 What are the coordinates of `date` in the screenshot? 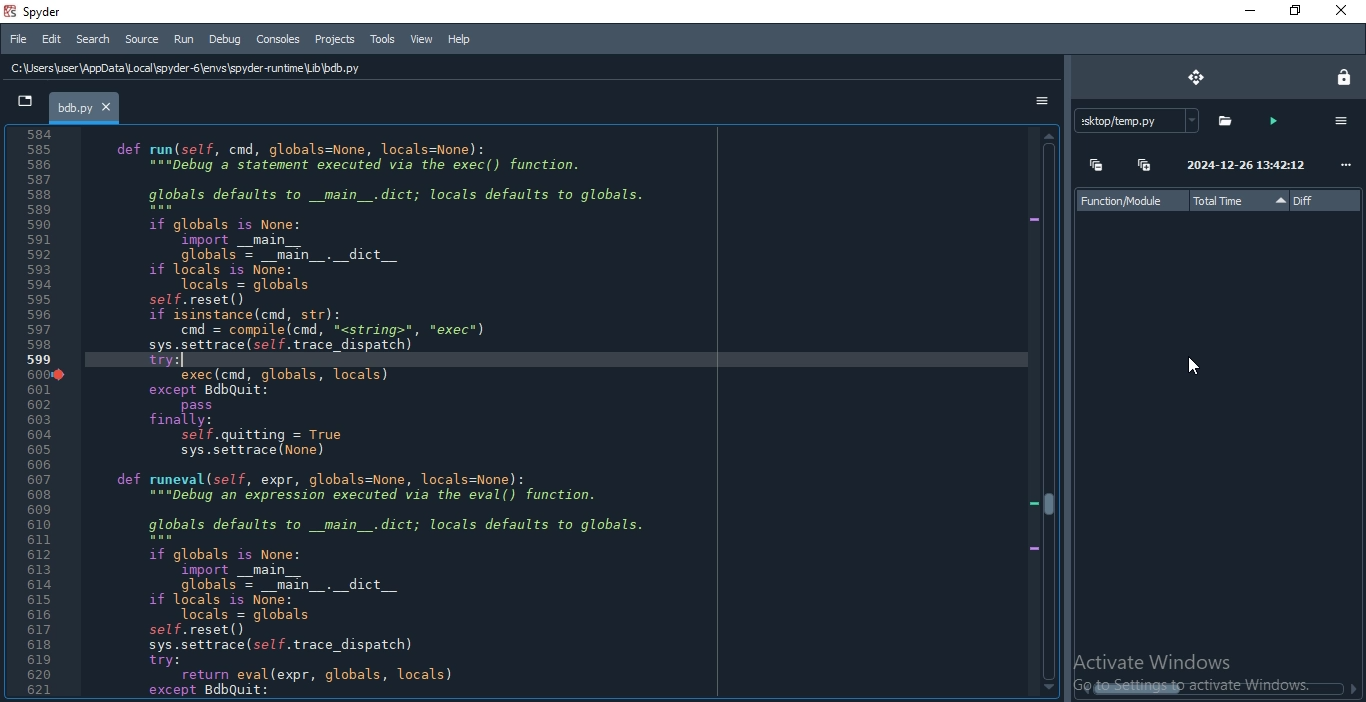 It's located at (1254, 166).